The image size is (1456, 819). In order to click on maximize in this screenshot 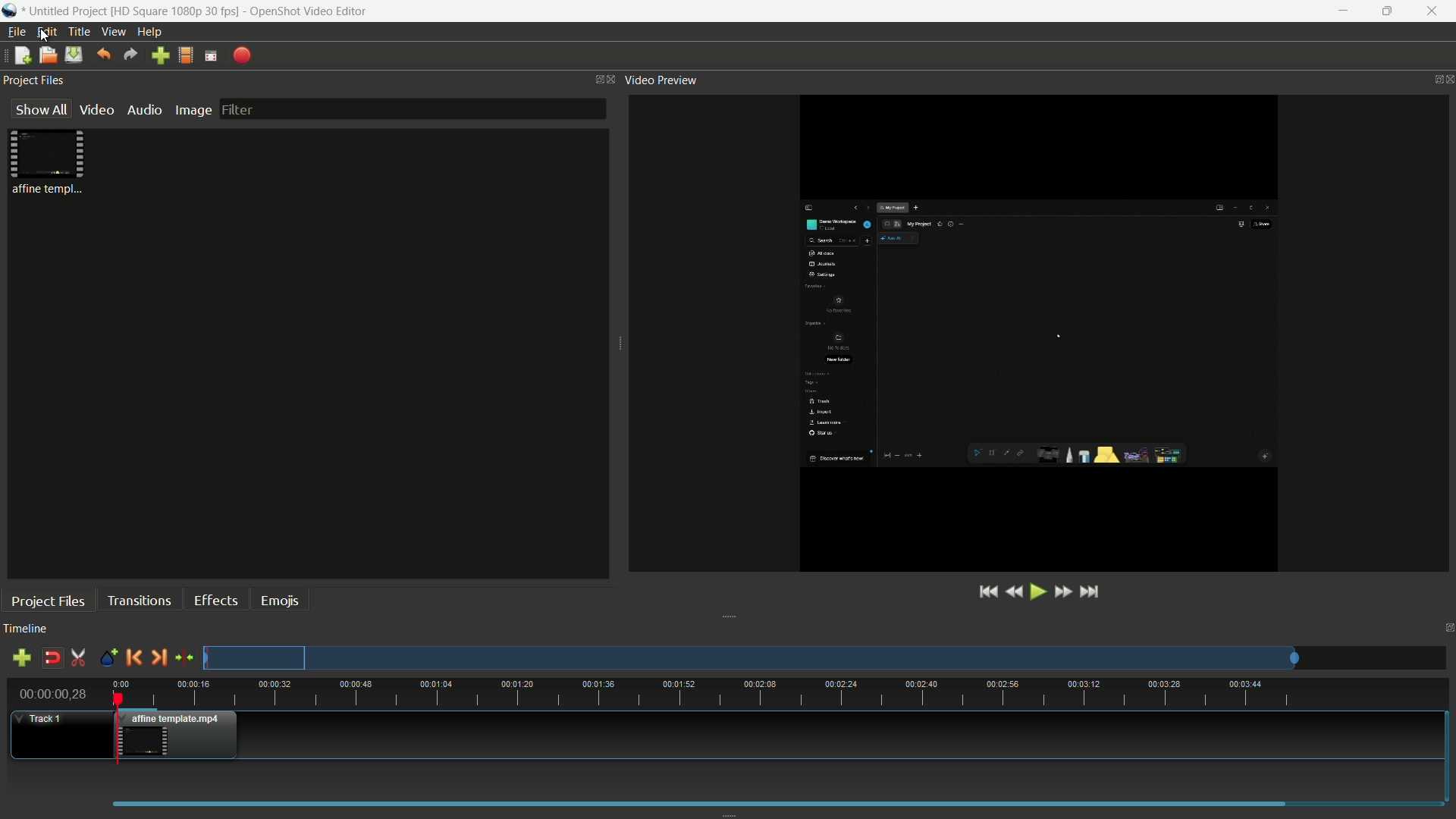, I will do `click(1387, 11)`.